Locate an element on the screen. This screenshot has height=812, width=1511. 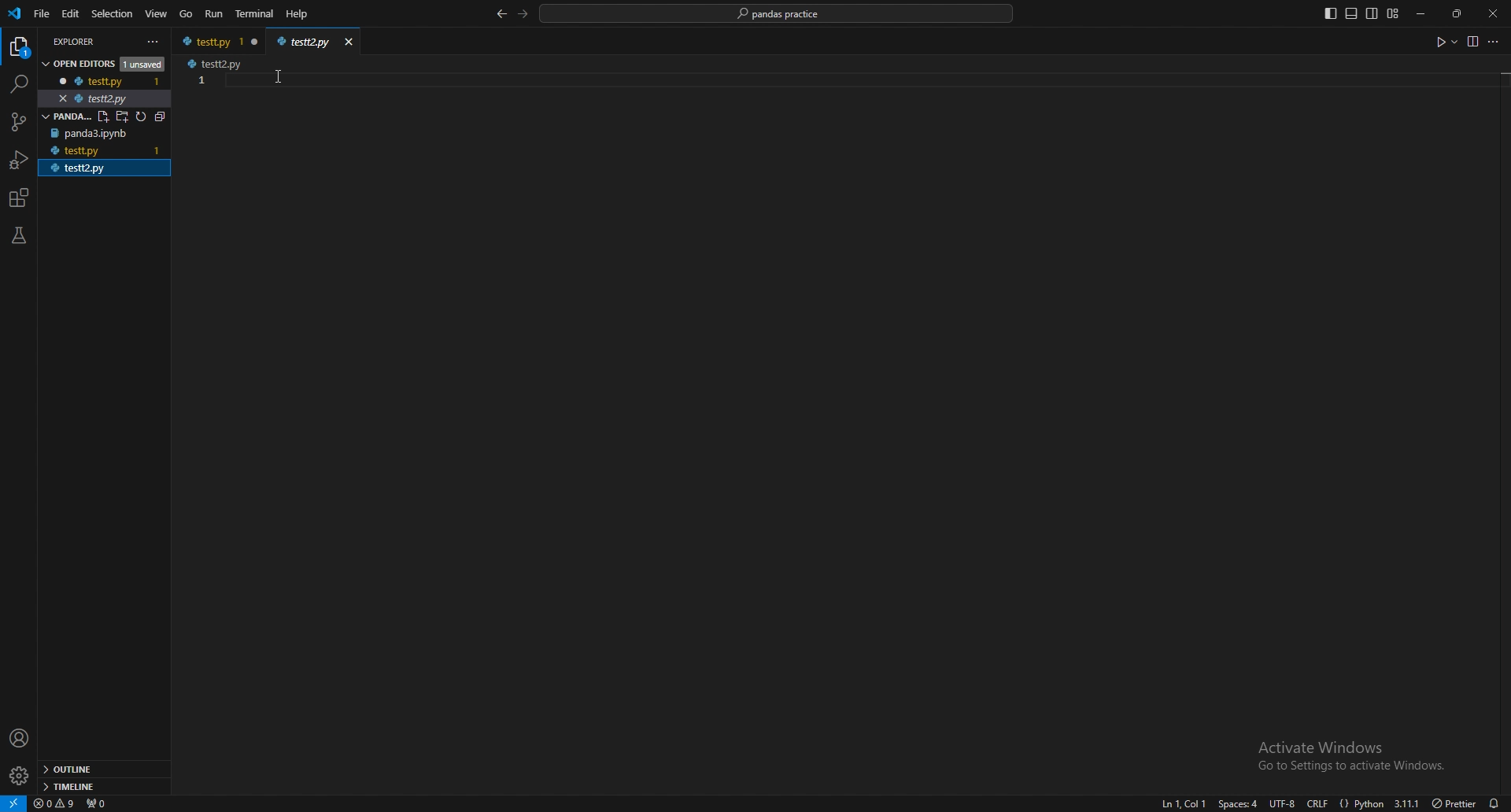
testt.py is located at coordinates (95, 80).